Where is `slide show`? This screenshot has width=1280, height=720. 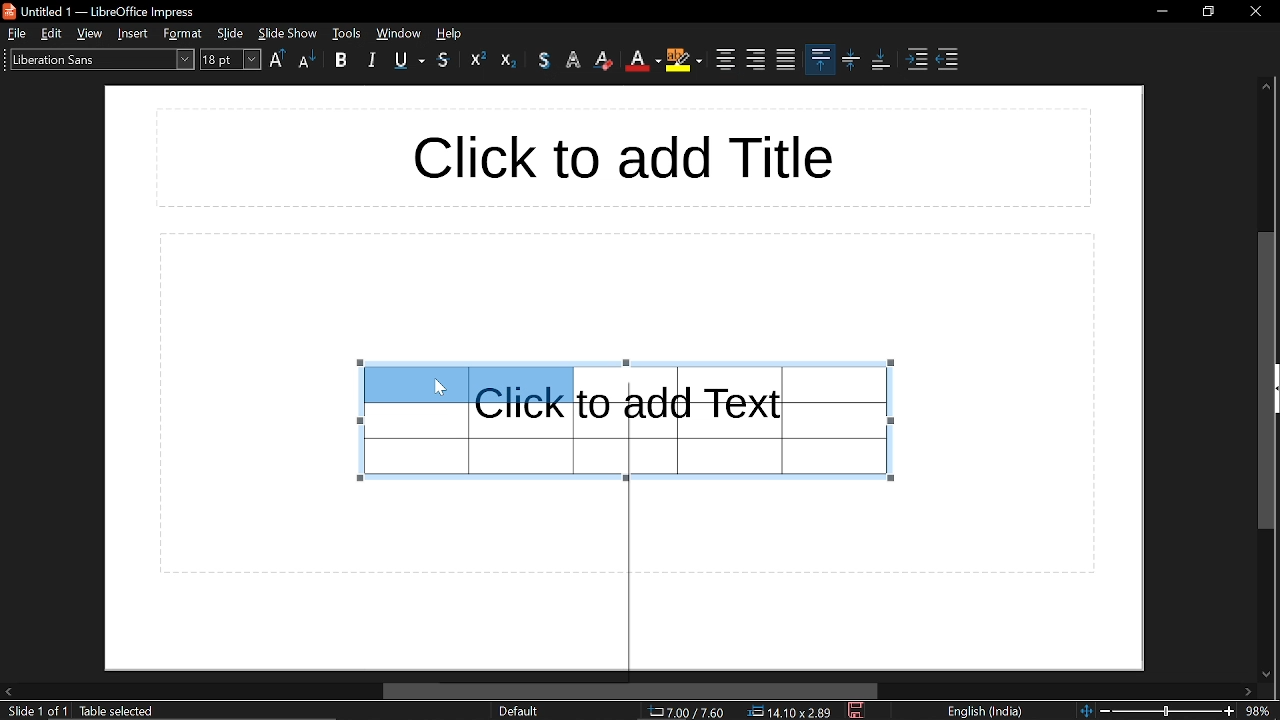 slide show is located at coordinates (288, 33).